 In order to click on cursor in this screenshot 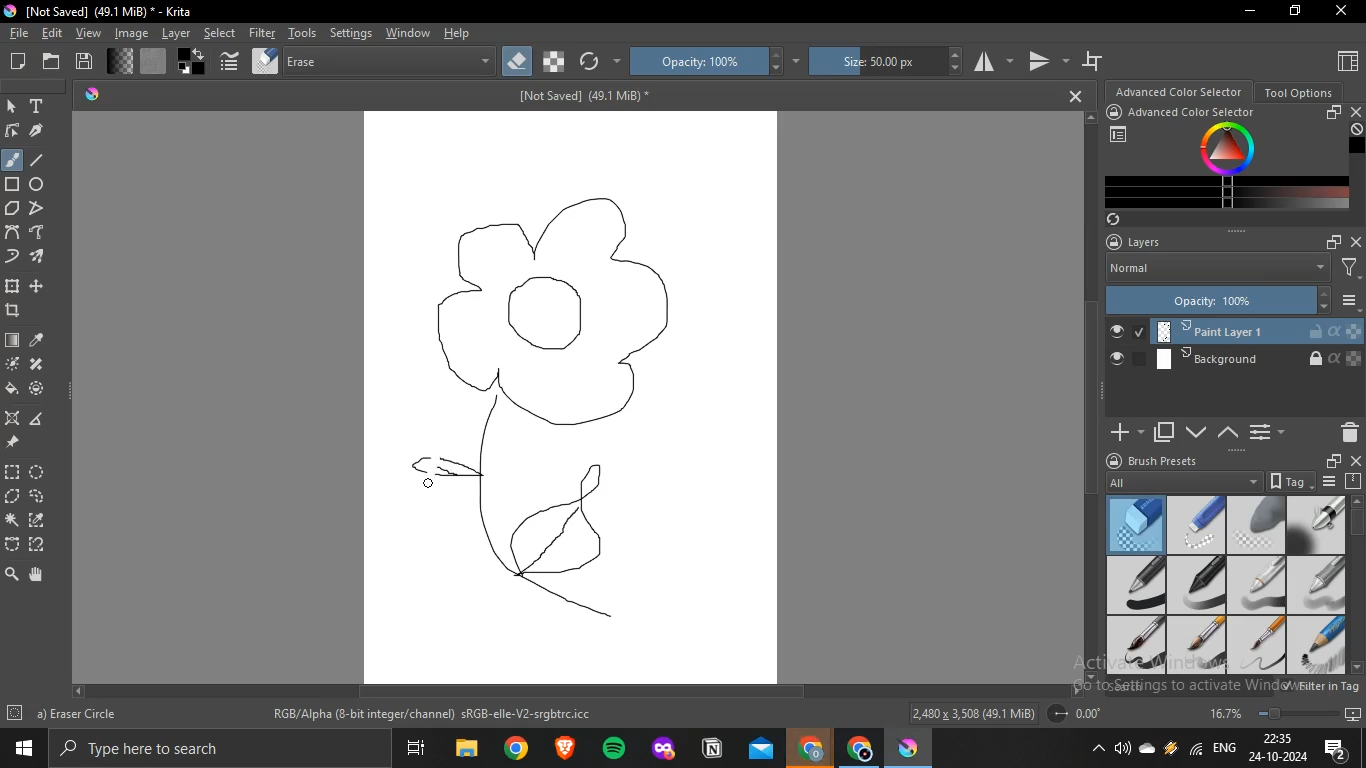, I will do `click(431, 478)`.